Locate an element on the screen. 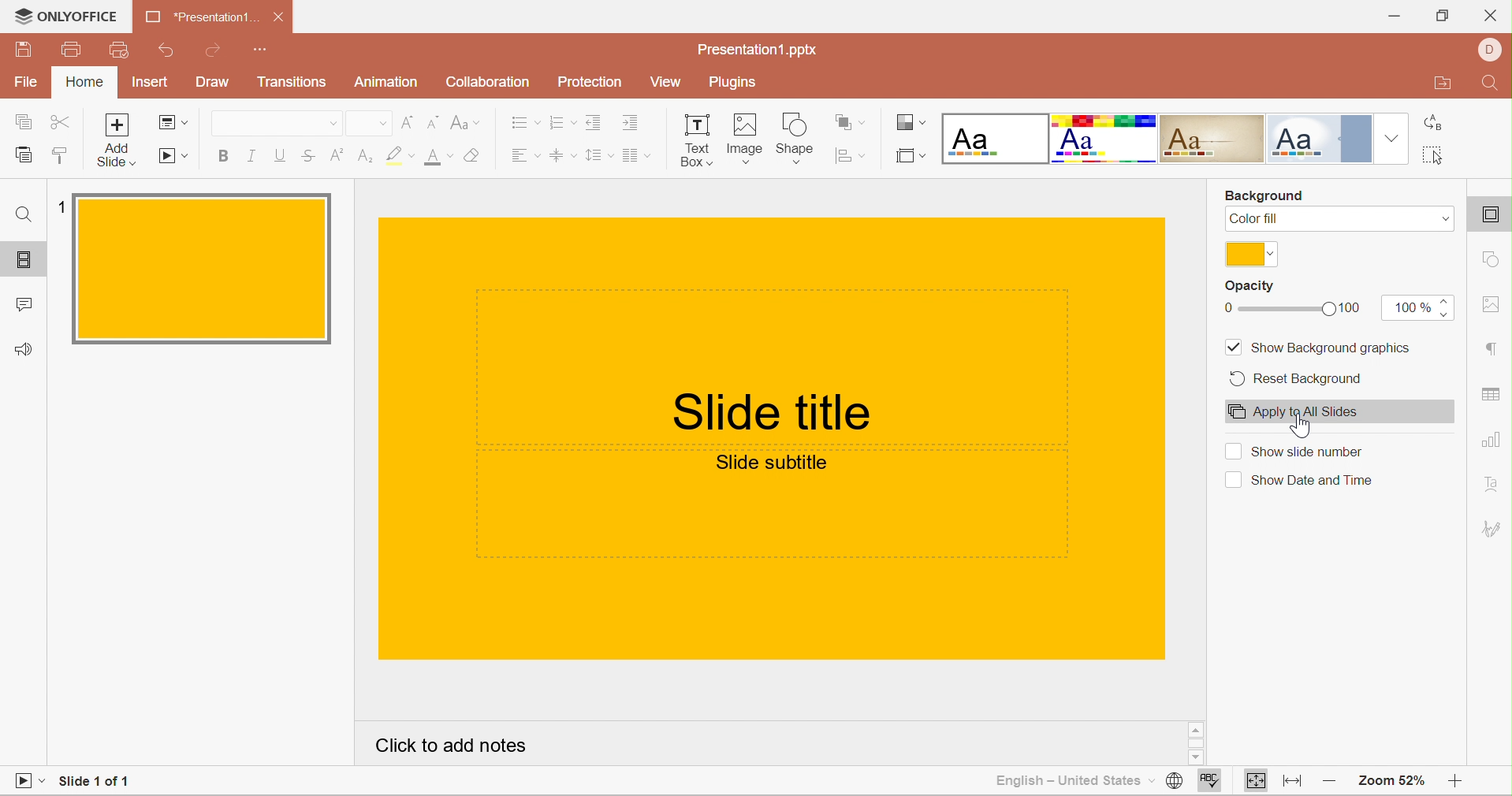 The width and height of the screenshot is (1512, 796). Official is located at coordinates (1320, 139).